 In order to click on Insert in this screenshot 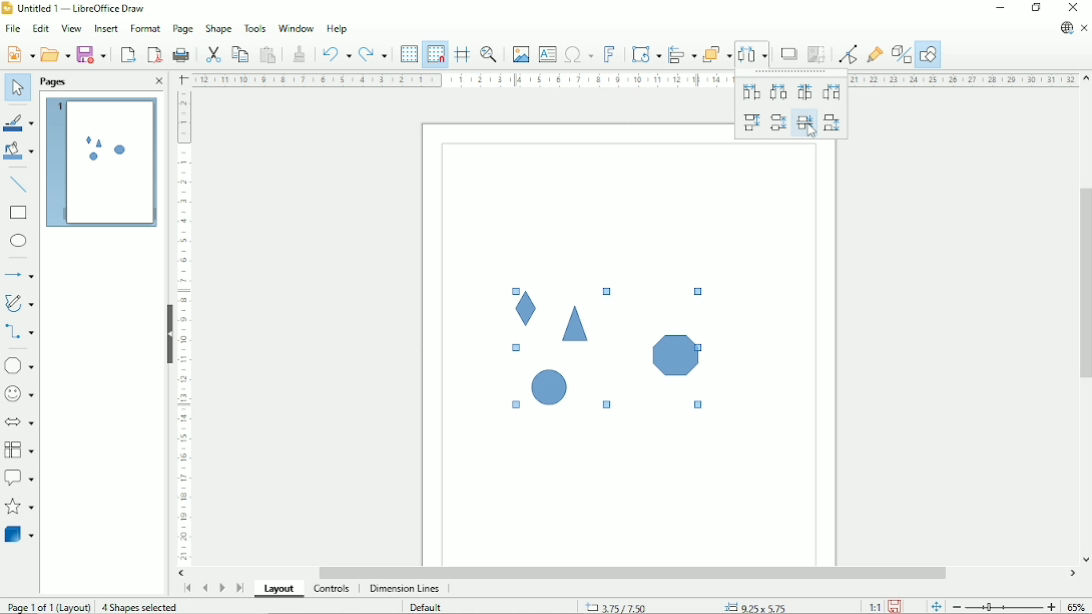, I will do `click(105, 29)`.